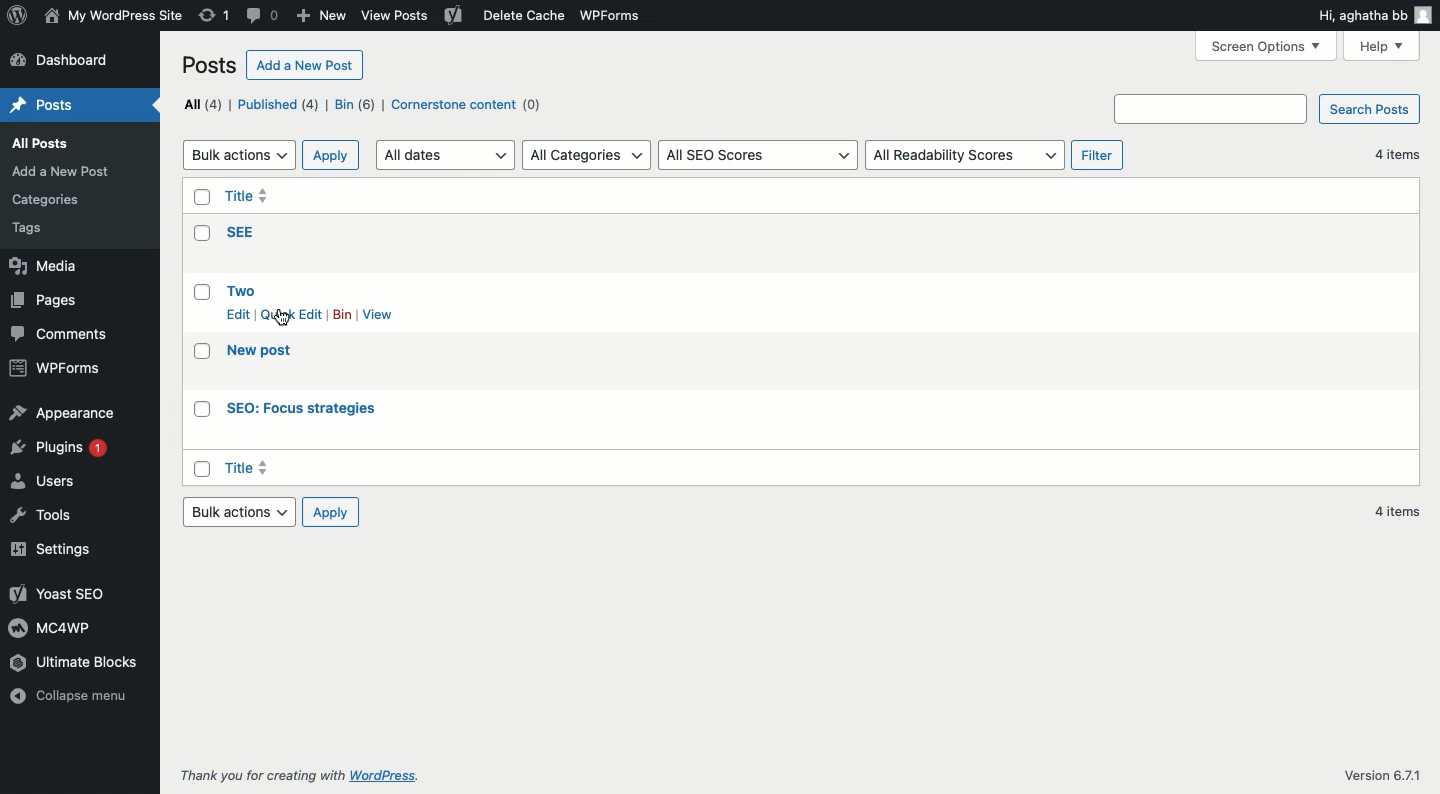 Image resolution: width=1440 pixels, height=794 pixels. I want to click on Thank you for creating with WordPress, so click(297, 775).